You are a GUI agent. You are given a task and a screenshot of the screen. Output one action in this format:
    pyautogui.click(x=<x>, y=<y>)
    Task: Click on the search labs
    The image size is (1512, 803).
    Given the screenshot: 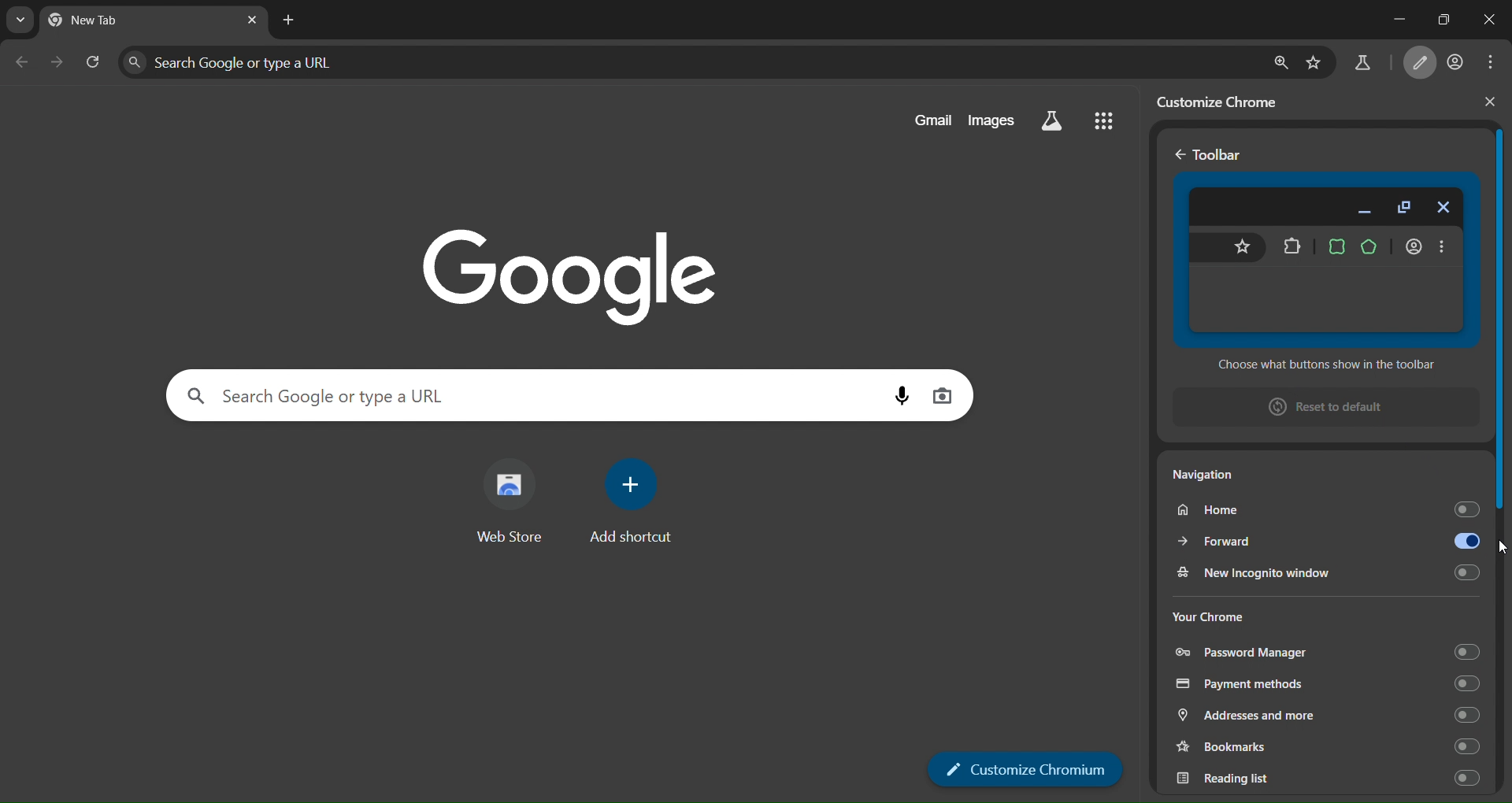 What is the action you would take?
    pyautogui.click(x=1362, y=66)
    